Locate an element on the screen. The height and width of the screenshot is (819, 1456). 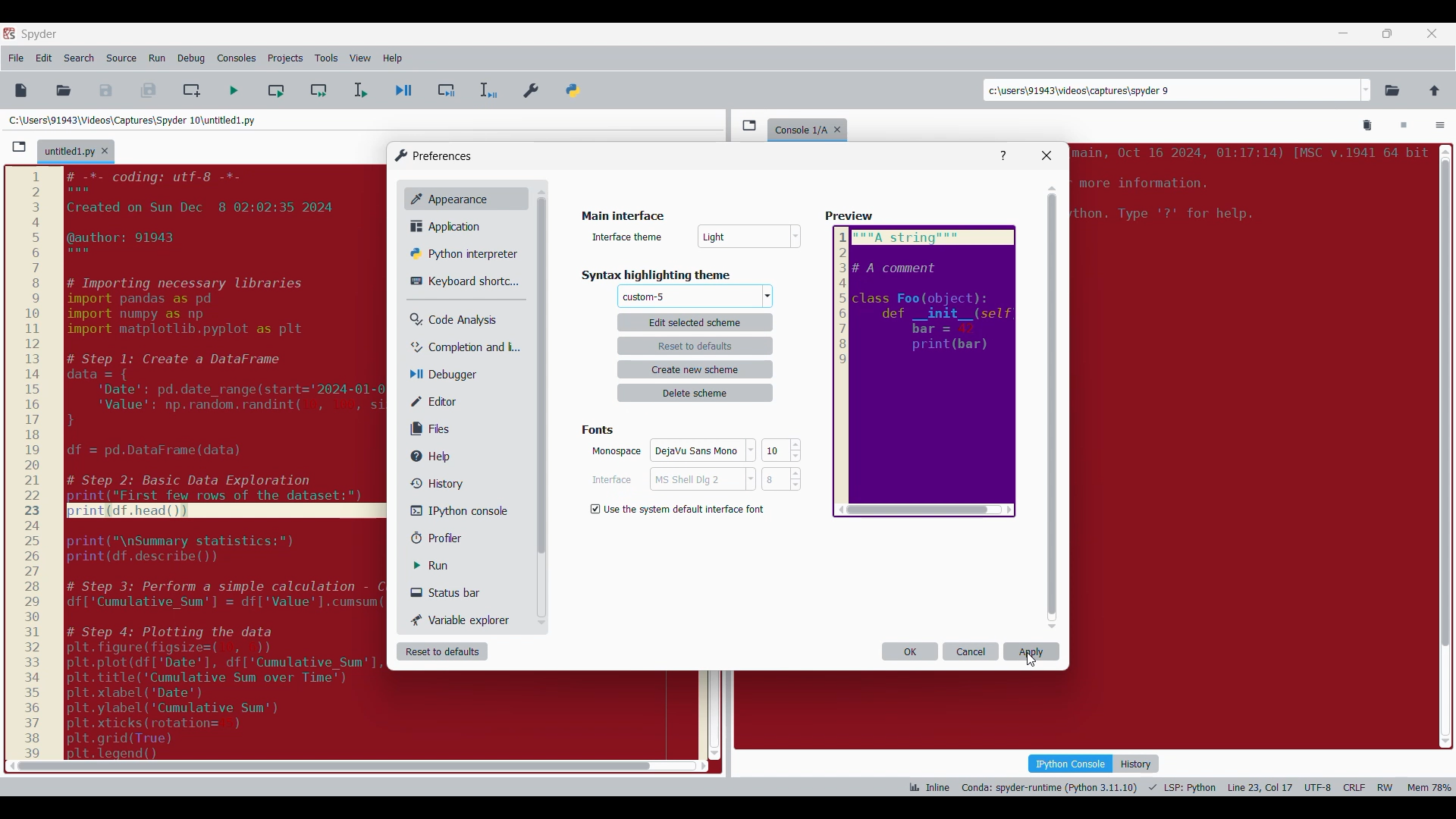
Help is located at coordinates (438, 457).